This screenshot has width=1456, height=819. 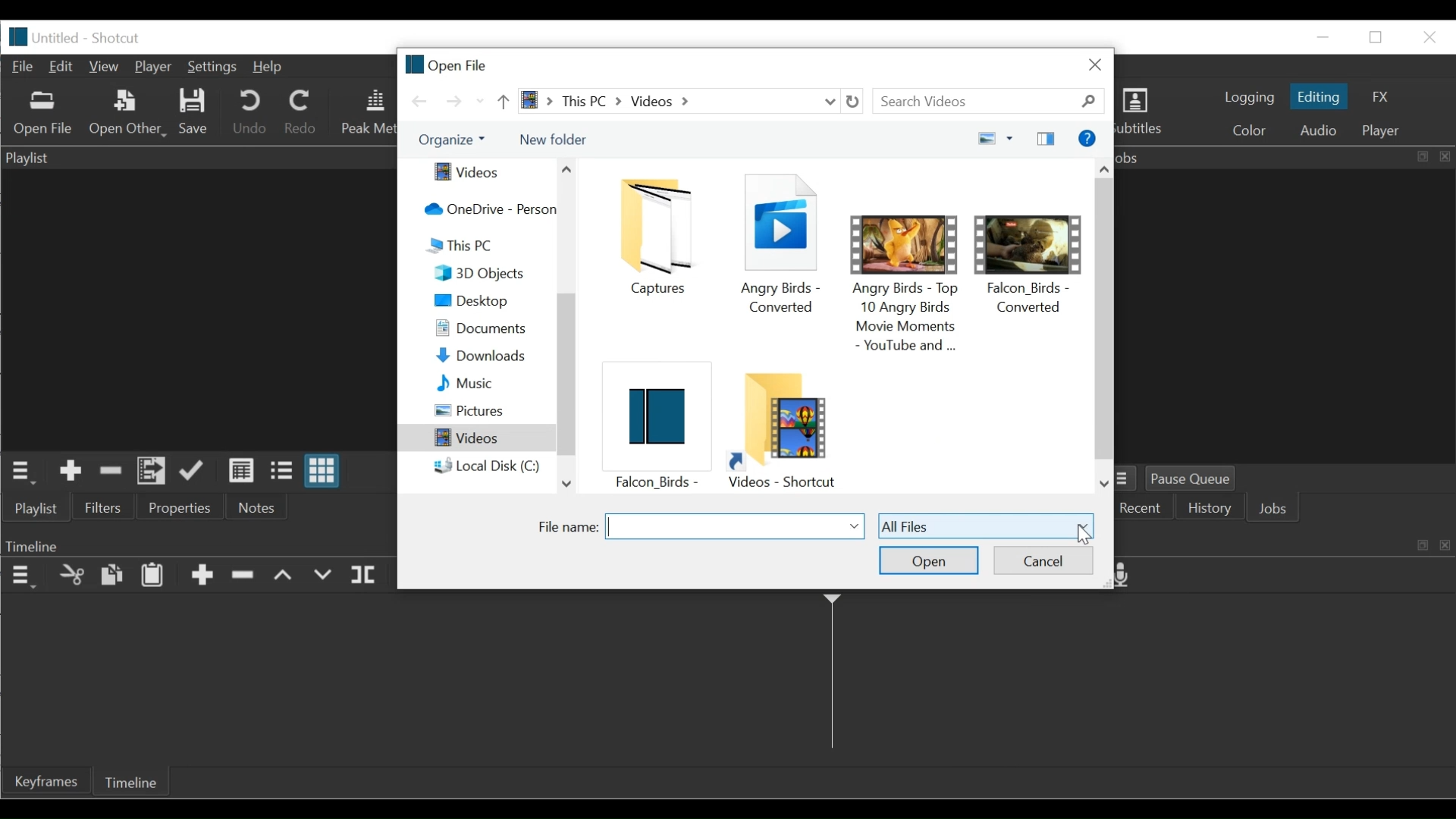 What do you see at coordinates (196, 472) in the screenshot?
I see `Update` at bounding box center [196, 472].